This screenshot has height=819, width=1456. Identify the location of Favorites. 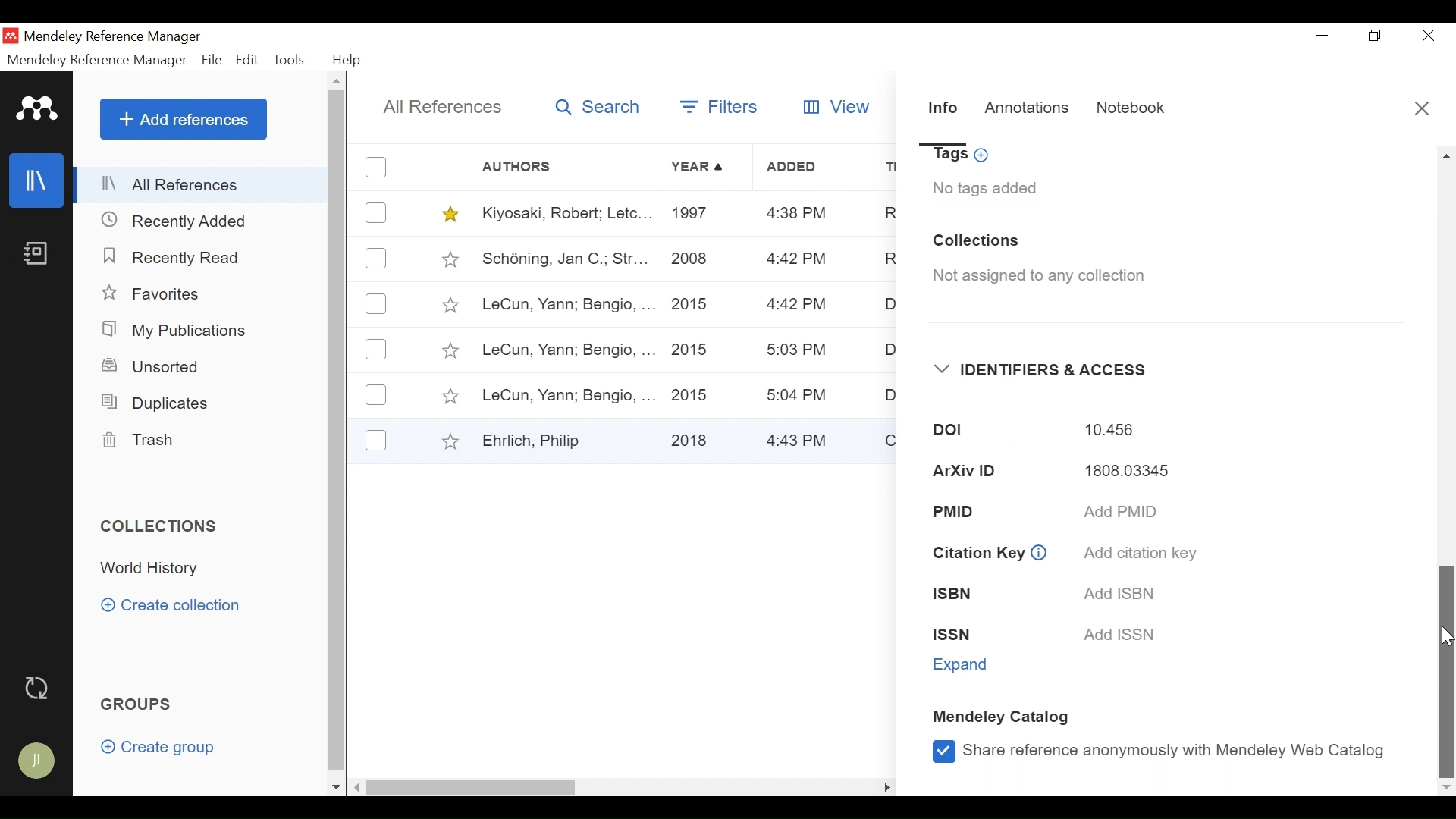
(153, 293).